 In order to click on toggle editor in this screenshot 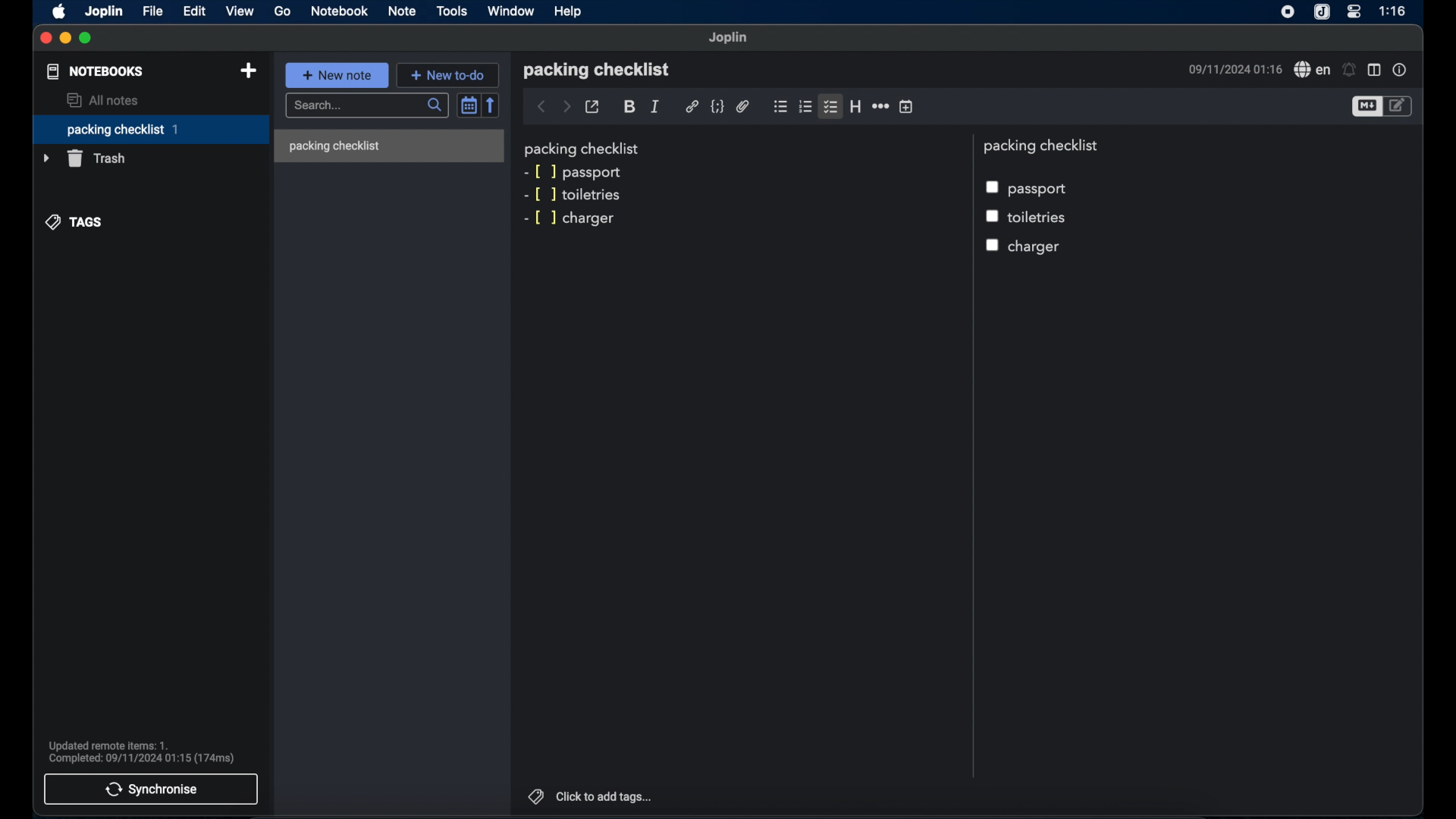, I will do `click(1366, 107)`.